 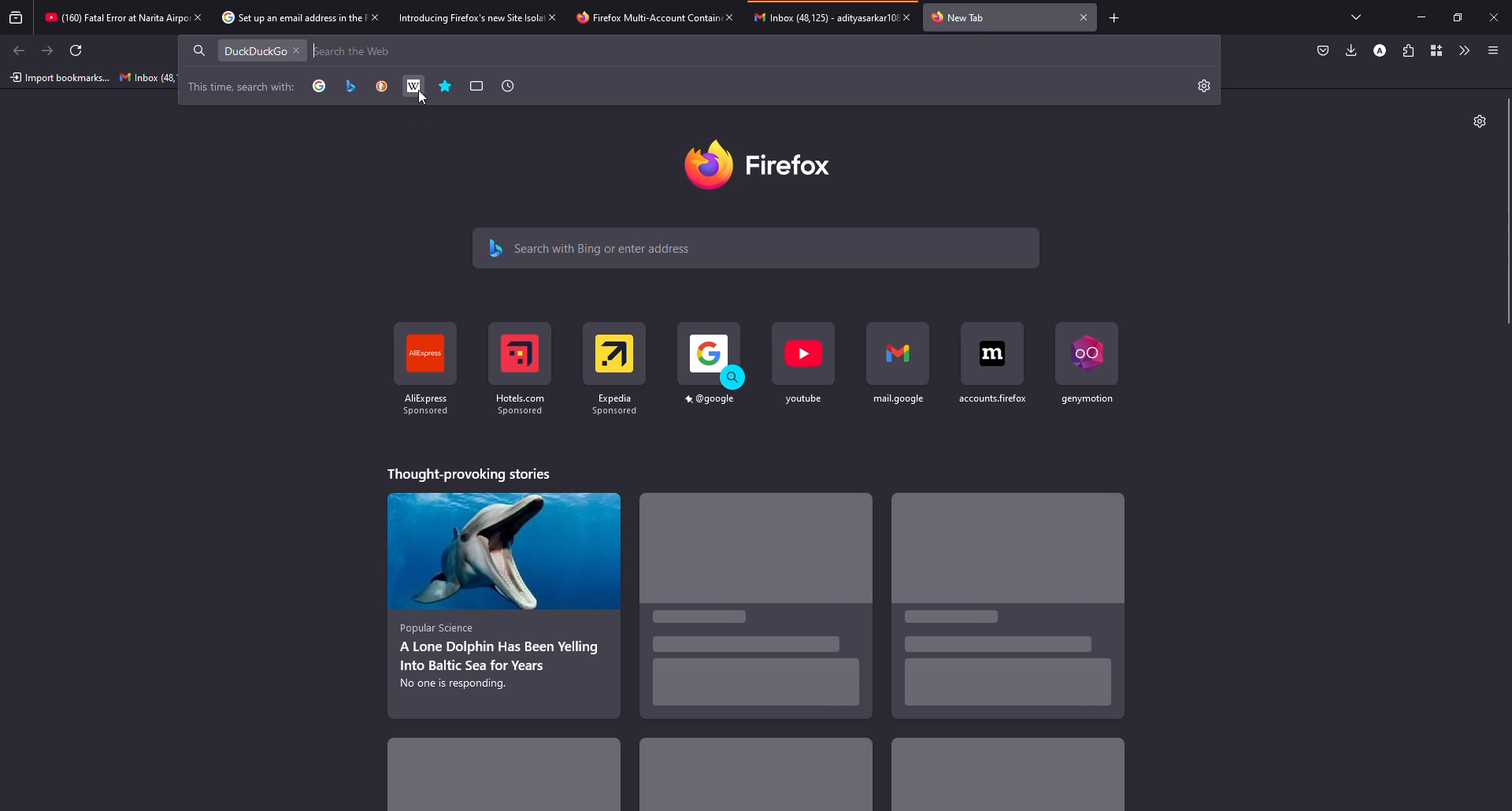 What do you see at coordinates (1408, 50) in the screenshot?
I see `extensions` at bounding box center [1408, 50].